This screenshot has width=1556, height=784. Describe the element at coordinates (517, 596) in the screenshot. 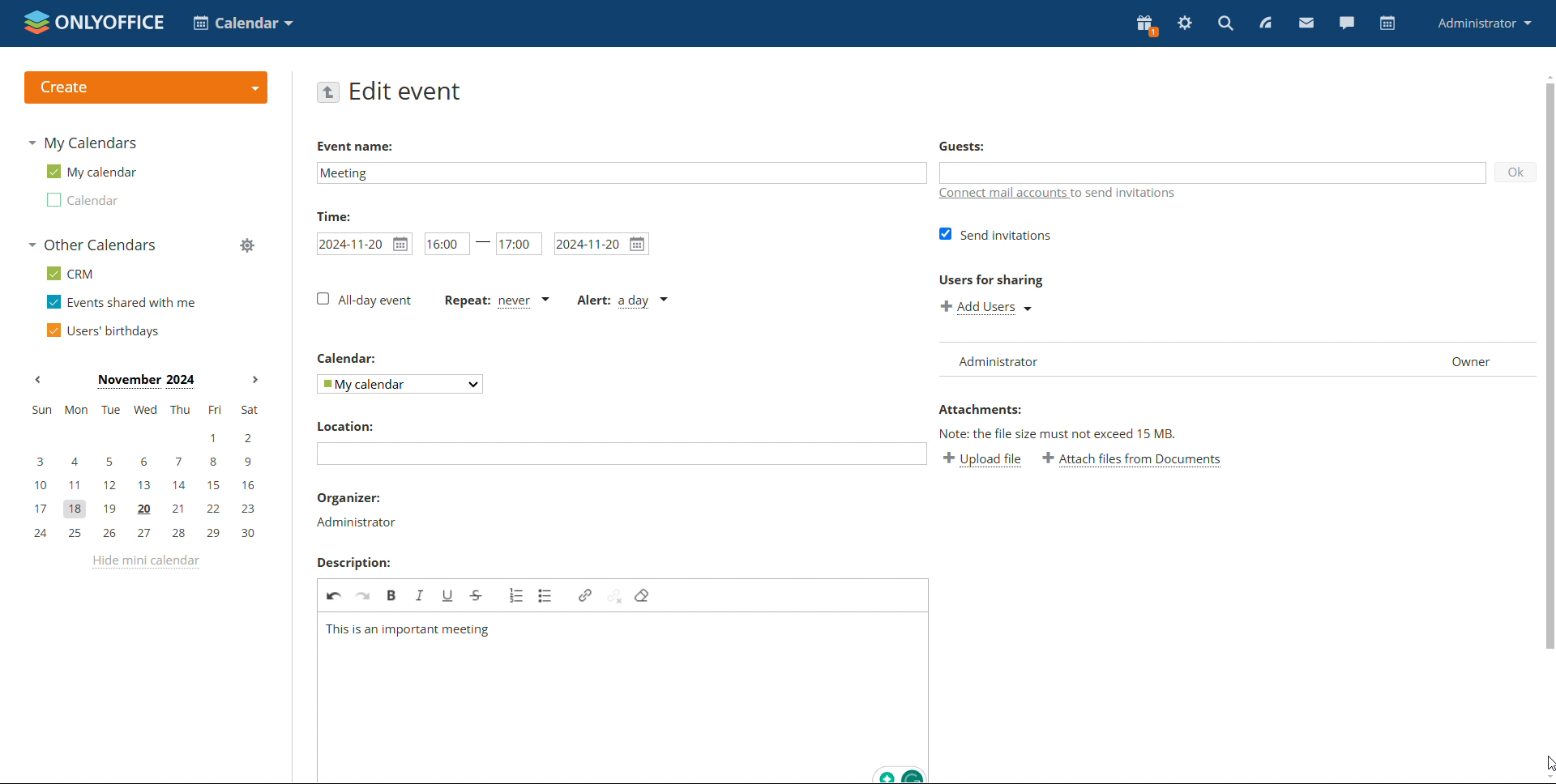

I see `insert/remove numbered list` at that location.